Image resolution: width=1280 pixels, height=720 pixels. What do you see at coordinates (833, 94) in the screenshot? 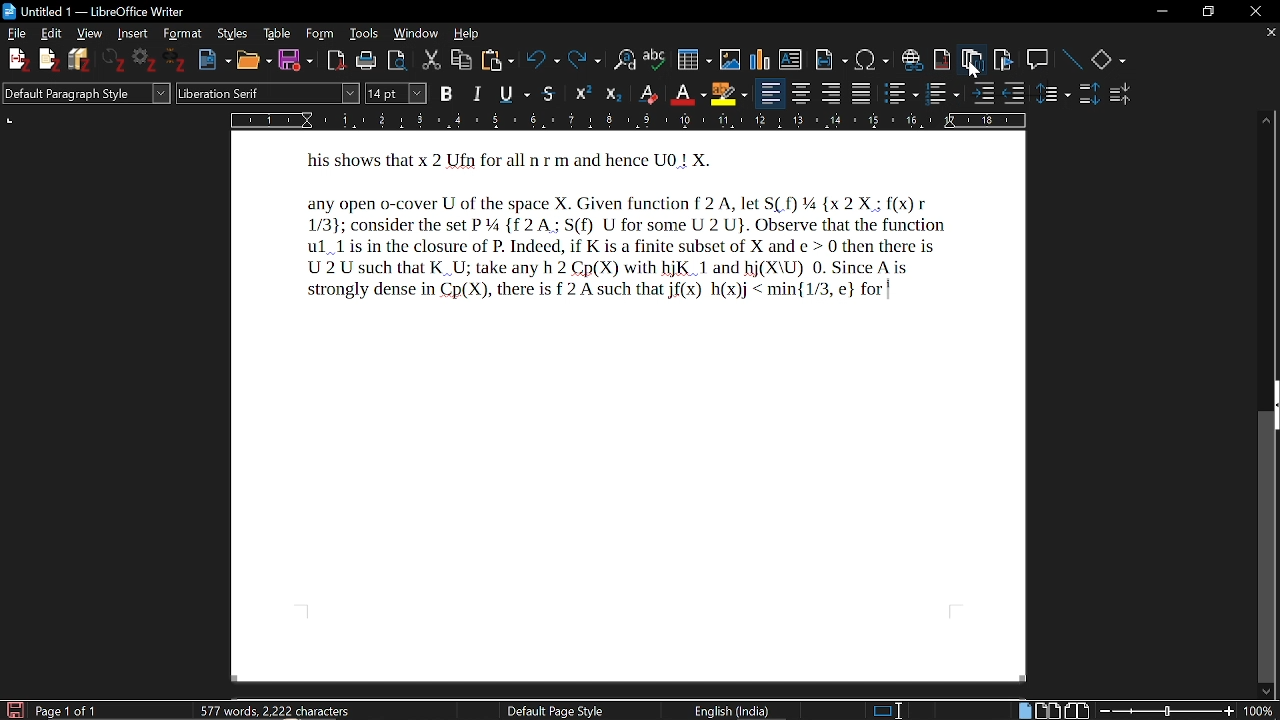
I see `Align left` at bounding box center [833, 94].